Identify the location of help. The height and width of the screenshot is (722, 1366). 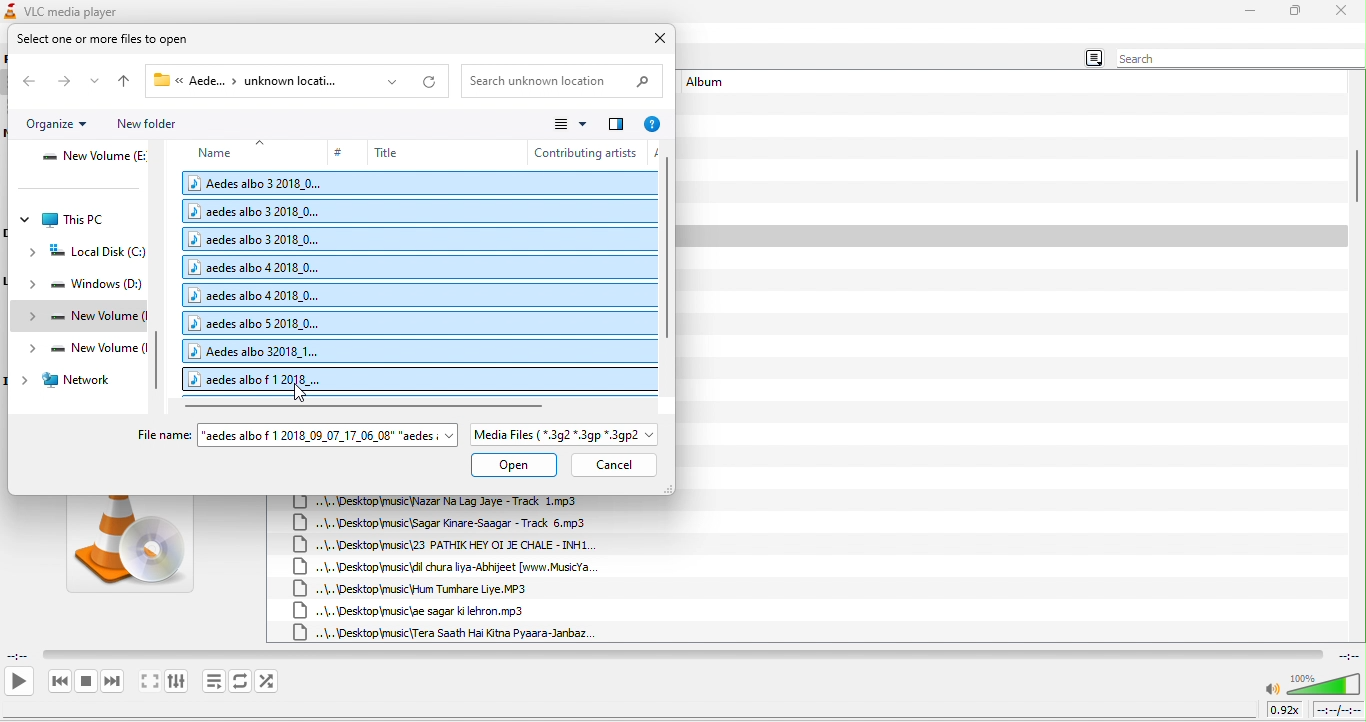
(654, 123).